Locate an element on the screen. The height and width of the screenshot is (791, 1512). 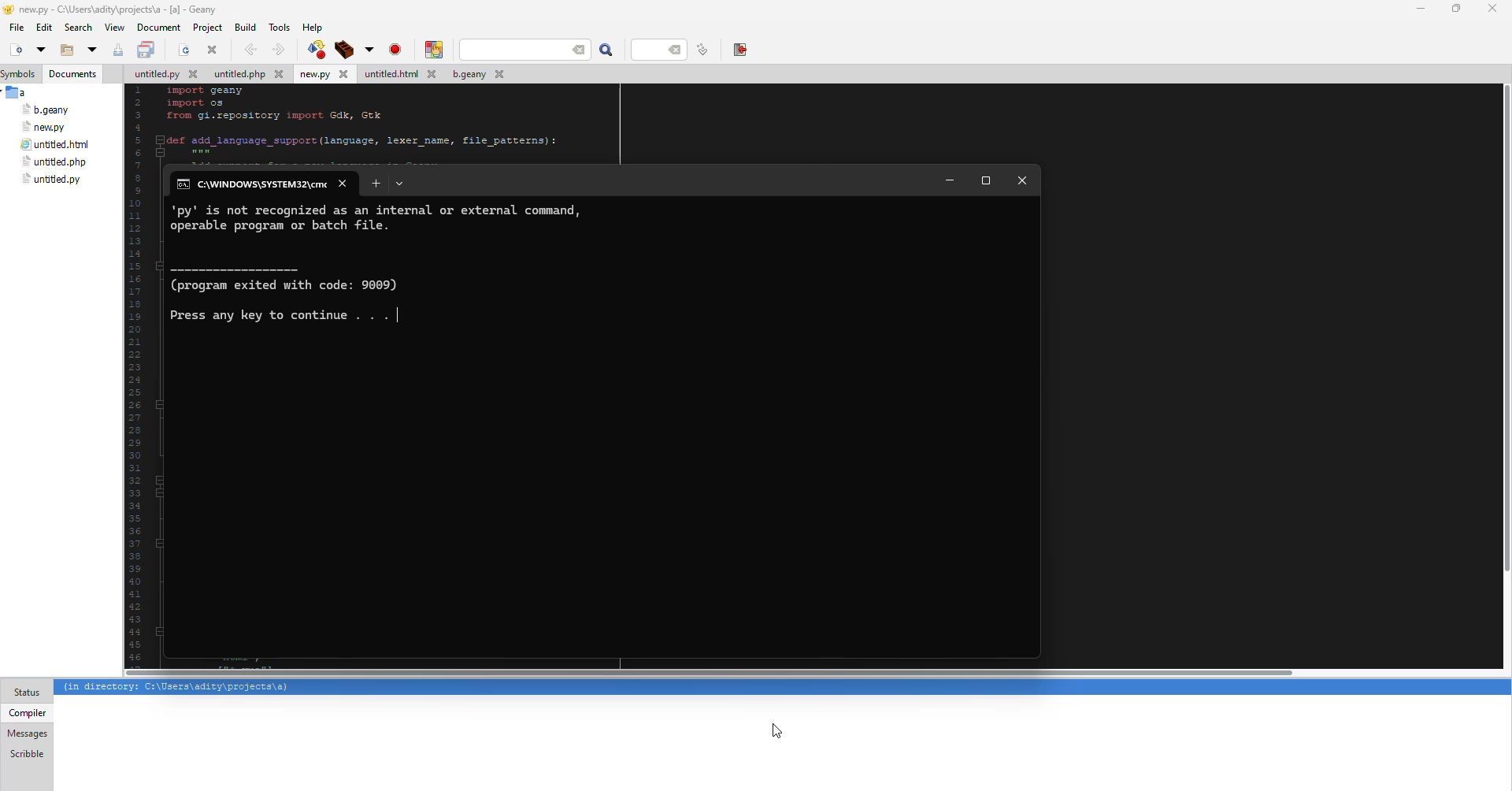
run is located at coordinates (395, 50).